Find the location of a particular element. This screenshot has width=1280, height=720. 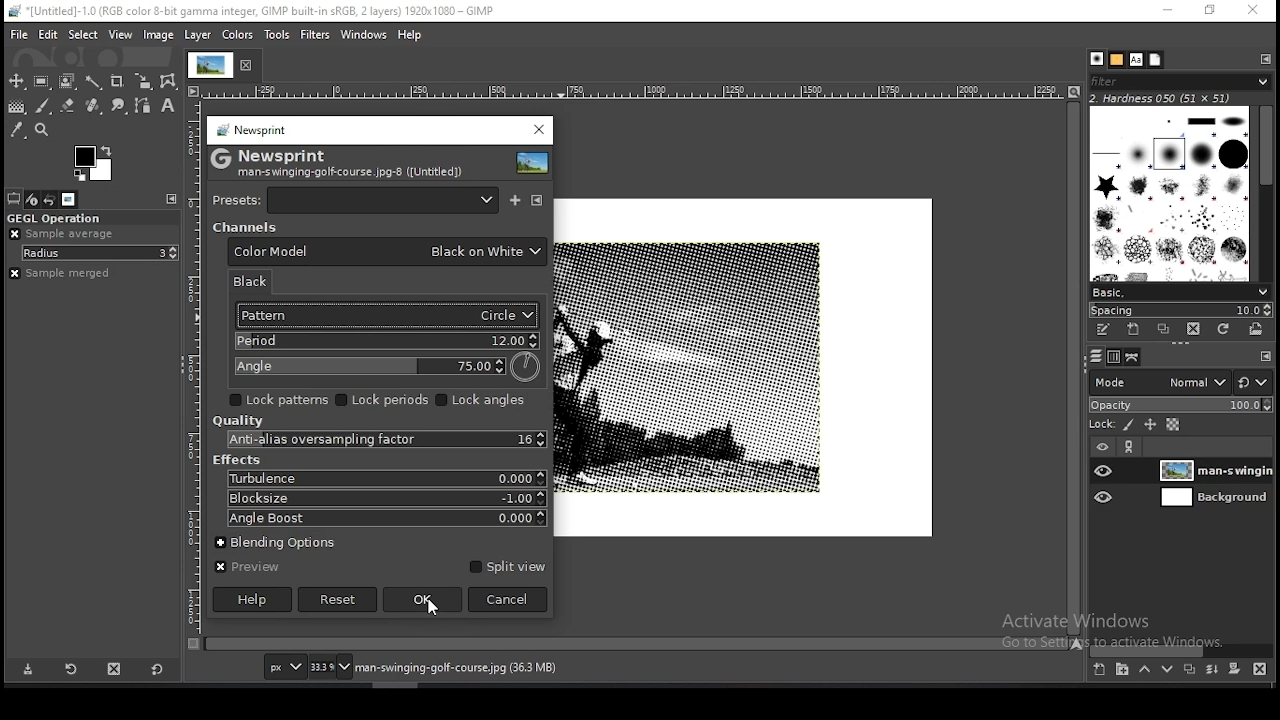

save tool preset is located at coordinates (29, 670).